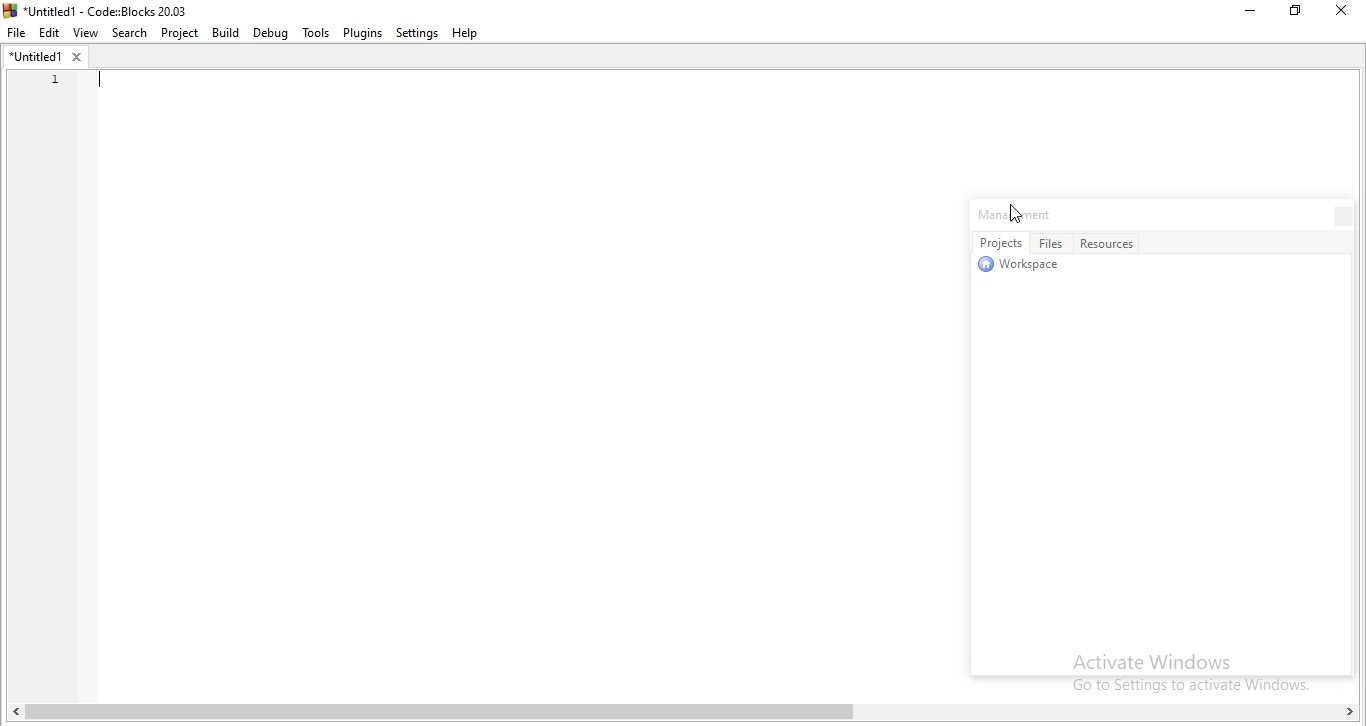 This screenshot has width=1366, height=726. What do you see at coordinates (88, 31) in the screenshot?
I see `View ` at bounding box center [88, 31].